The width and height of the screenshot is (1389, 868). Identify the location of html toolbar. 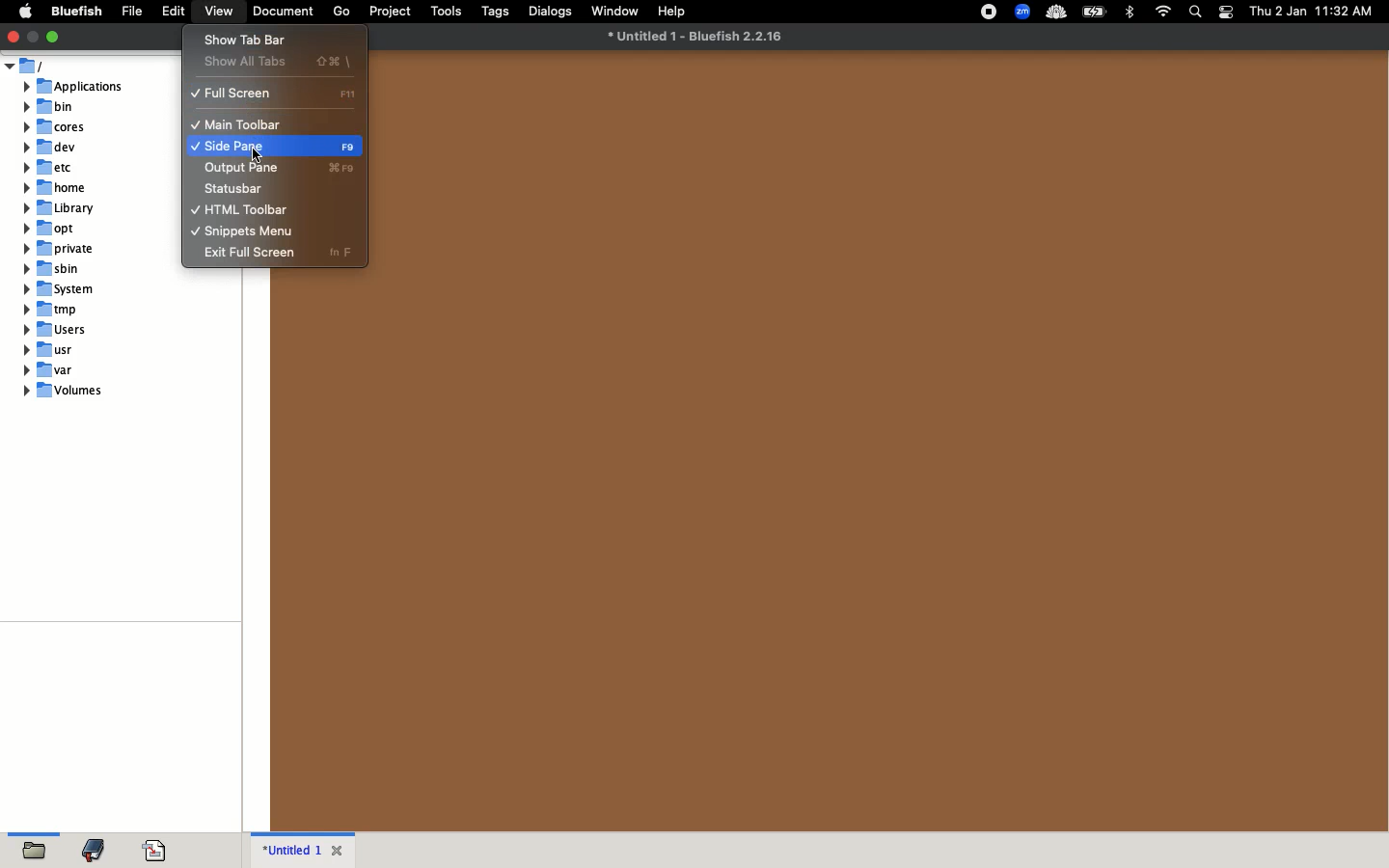
(241, 209).